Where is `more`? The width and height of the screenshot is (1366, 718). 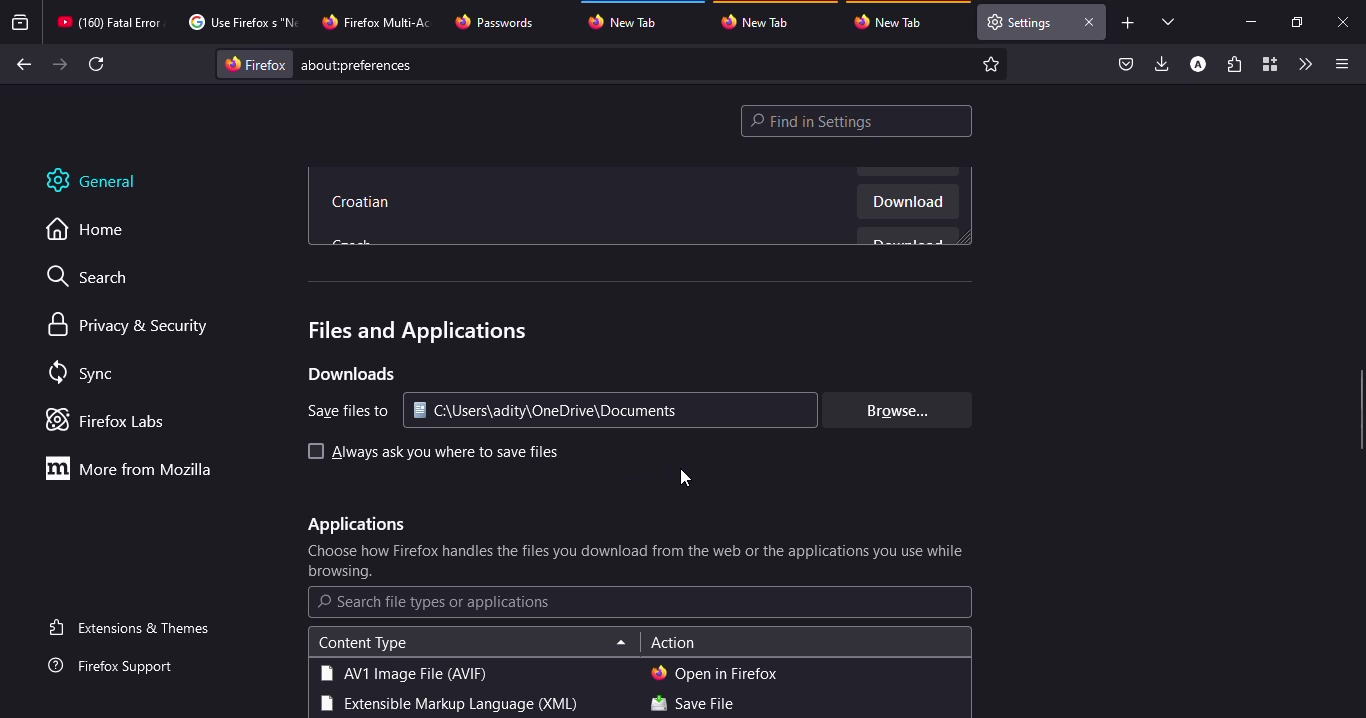
more is located at coordinates (135, 468).